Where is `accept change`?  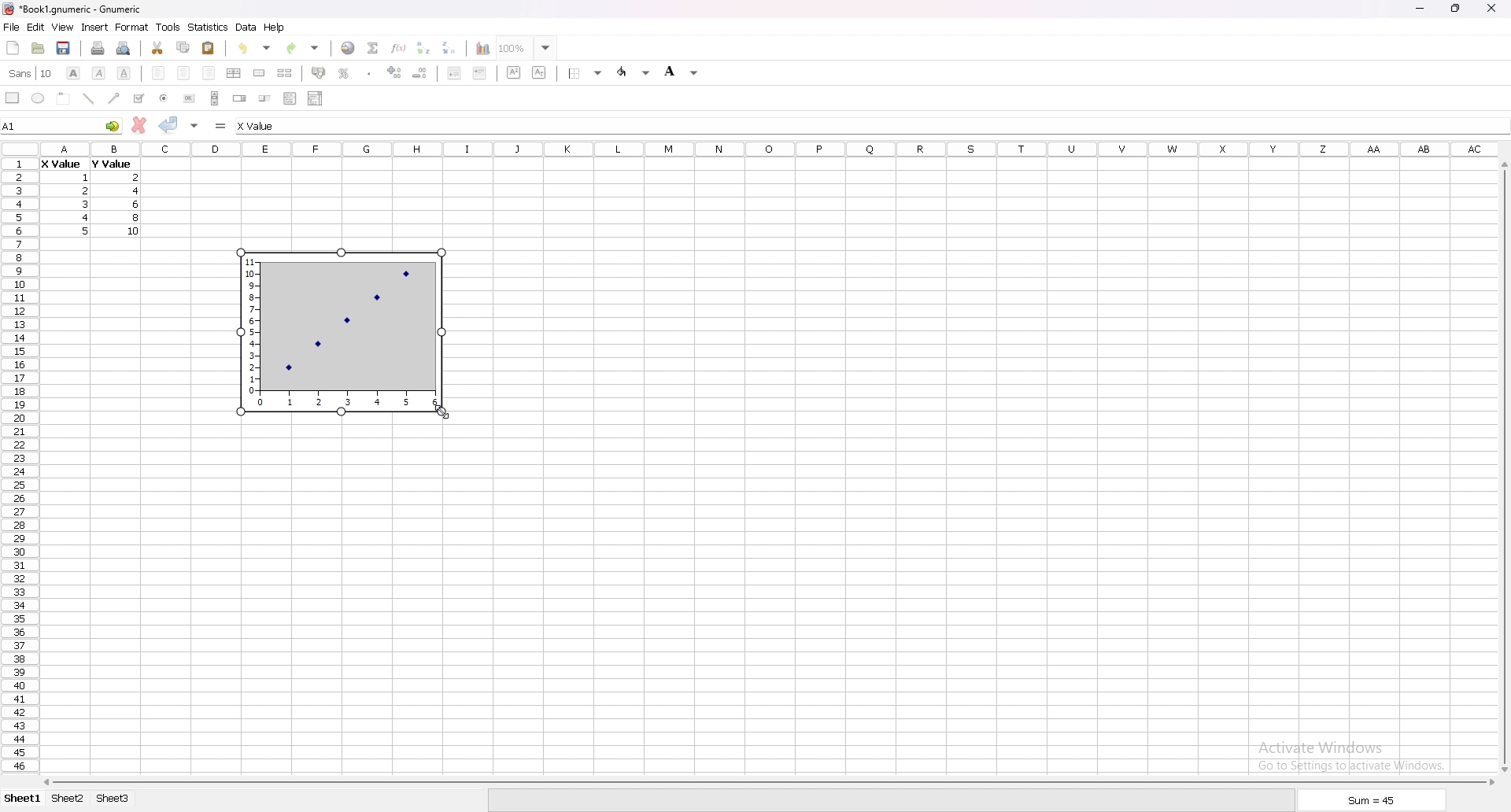 accept change is located at coordinates (168, 124).